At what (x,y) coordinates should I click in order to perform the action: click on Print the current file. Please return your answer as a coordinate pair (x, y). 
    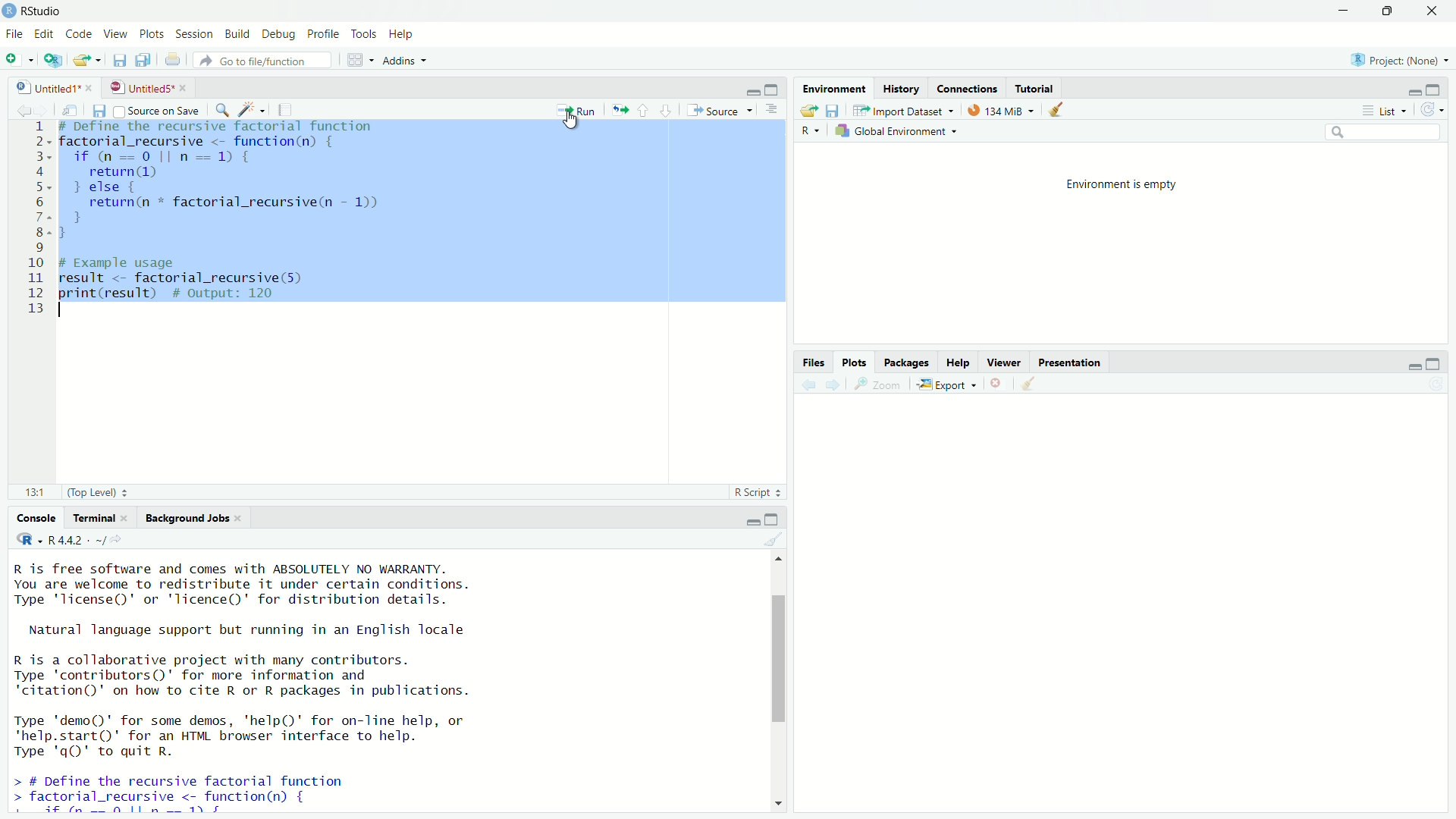
    Looking at the image, I should click on (178, 63).